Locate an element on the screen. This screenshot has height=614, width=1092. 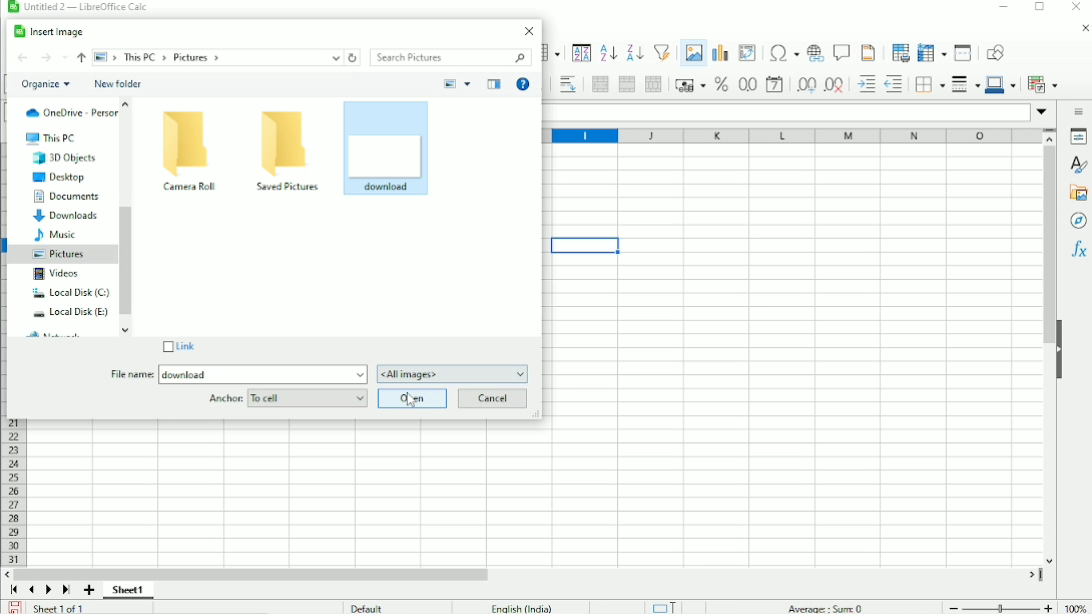
Vertical scrollbar is located at coordinates (127, 261).